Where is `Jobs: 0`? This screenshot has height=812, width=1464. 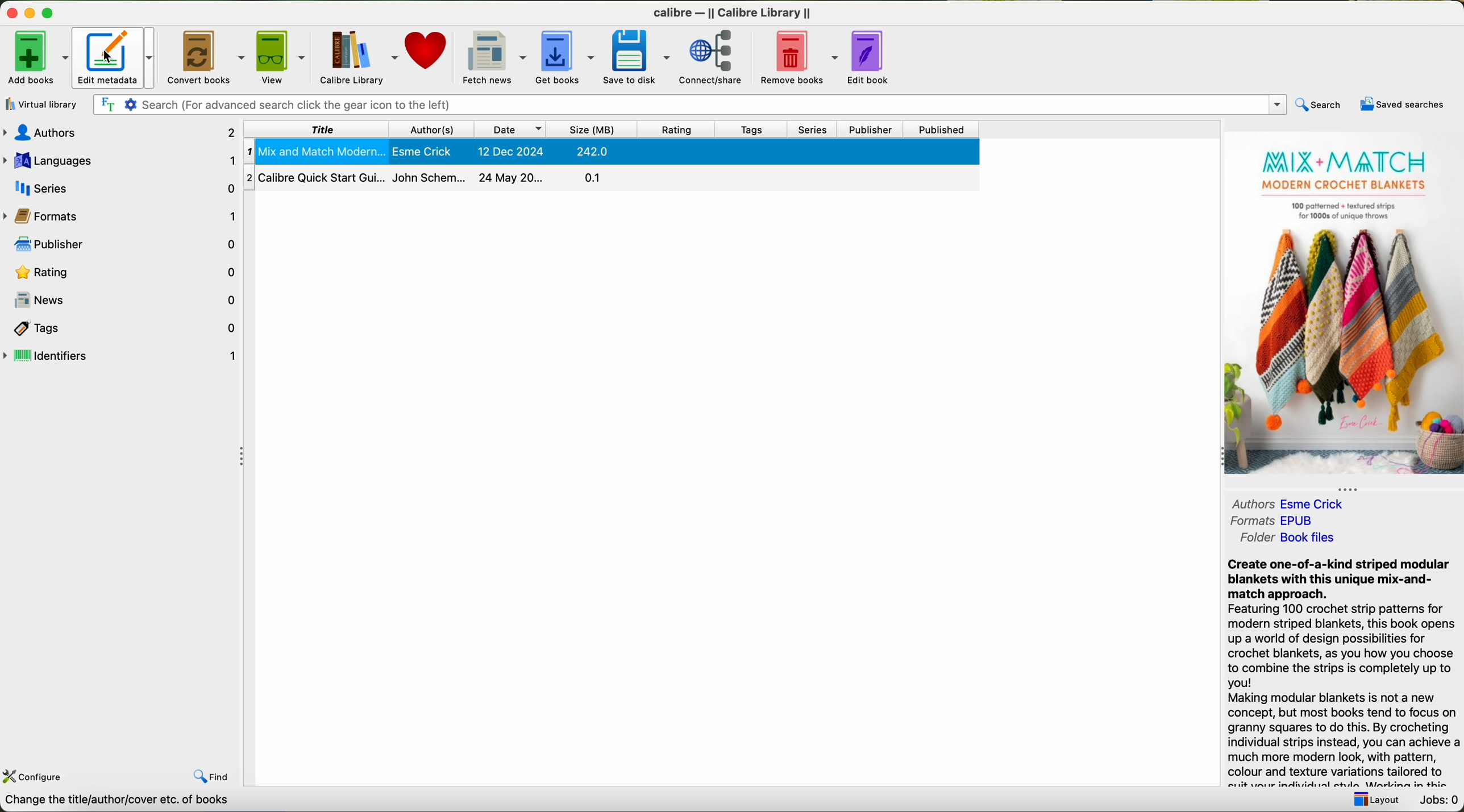
Jobs: 0 is located at coordinates (1437, 800).